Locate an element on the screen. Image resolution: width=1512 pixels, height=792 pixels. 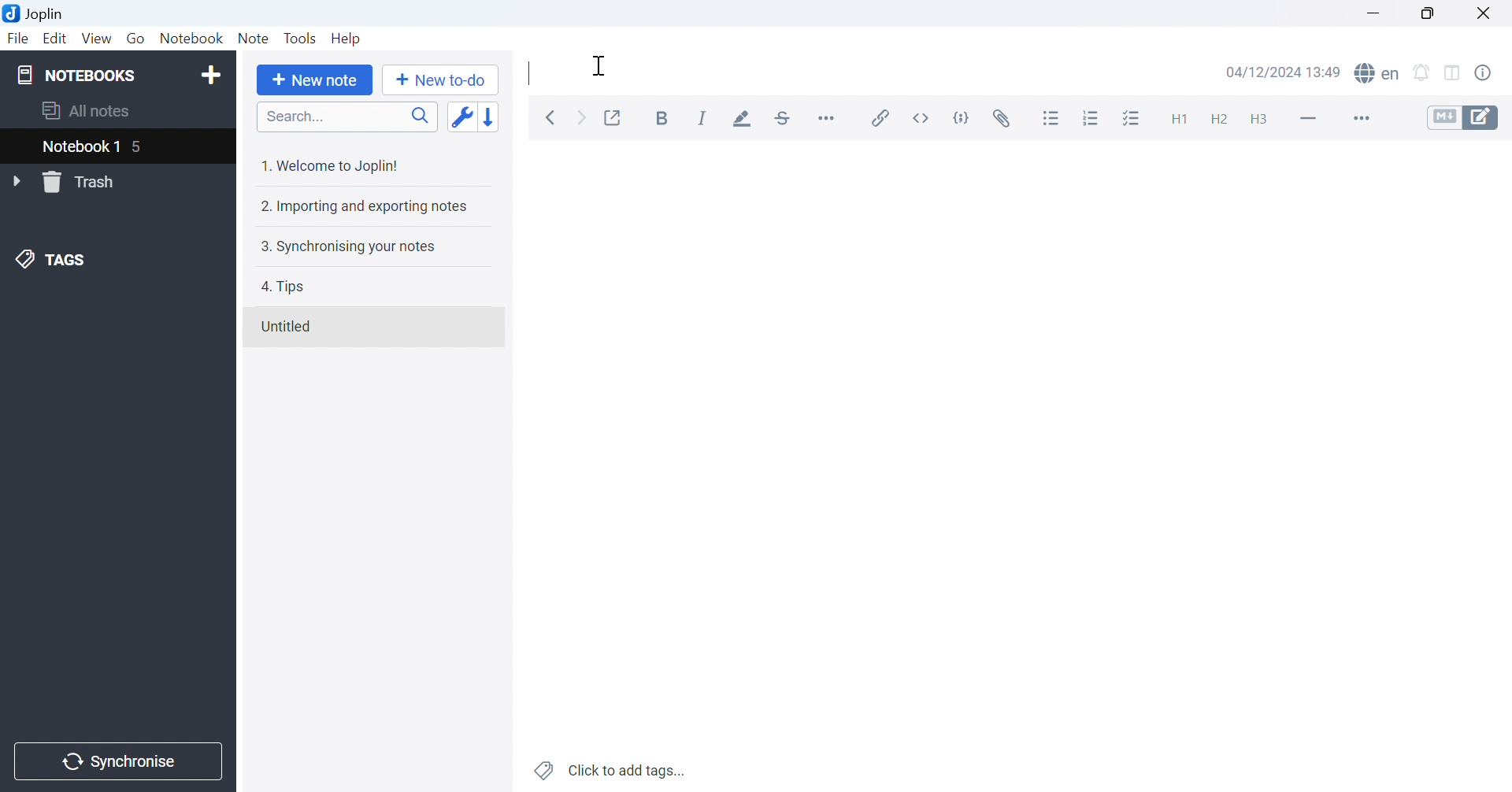
04/12/2024 13:49 is located at coordinates (1284, 72).